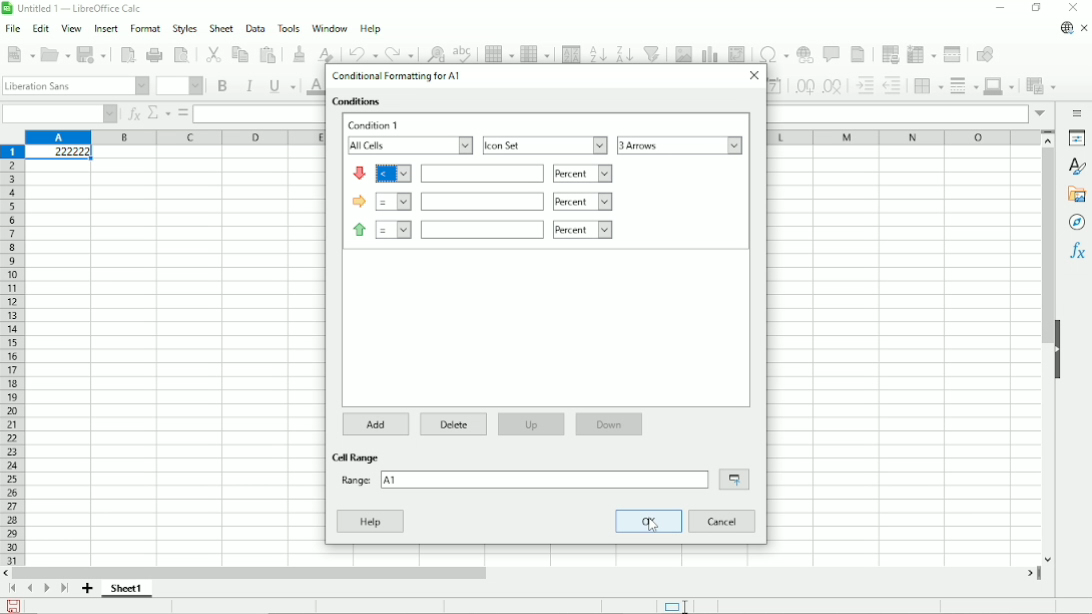 This screenshot has width=1092, height=614. What do you see at coordinates (682, 52) in the screenshot?
I see `Insert image` at bounding box center [682, 52].